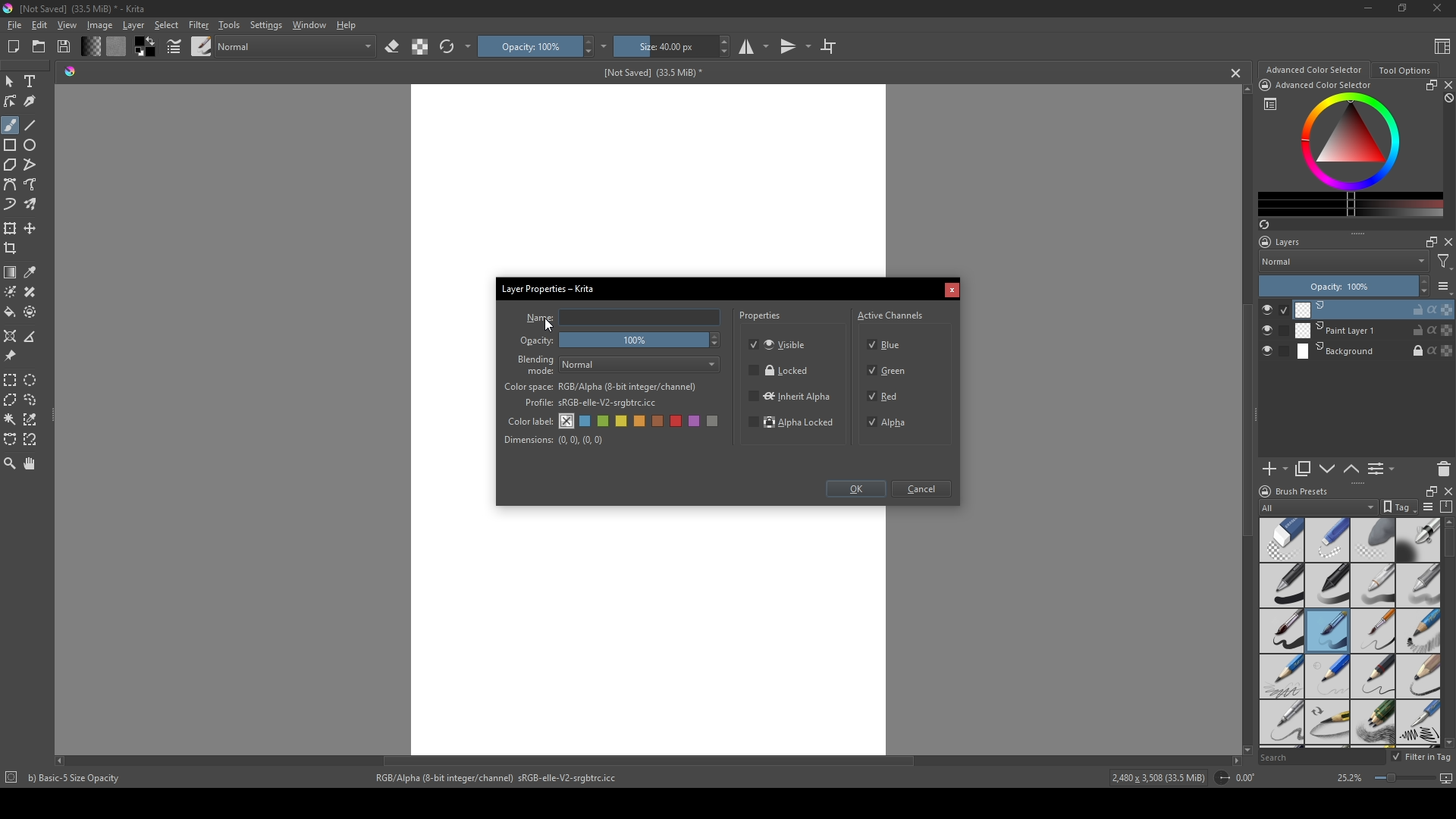  I want to click on transform, so click(11, 227).